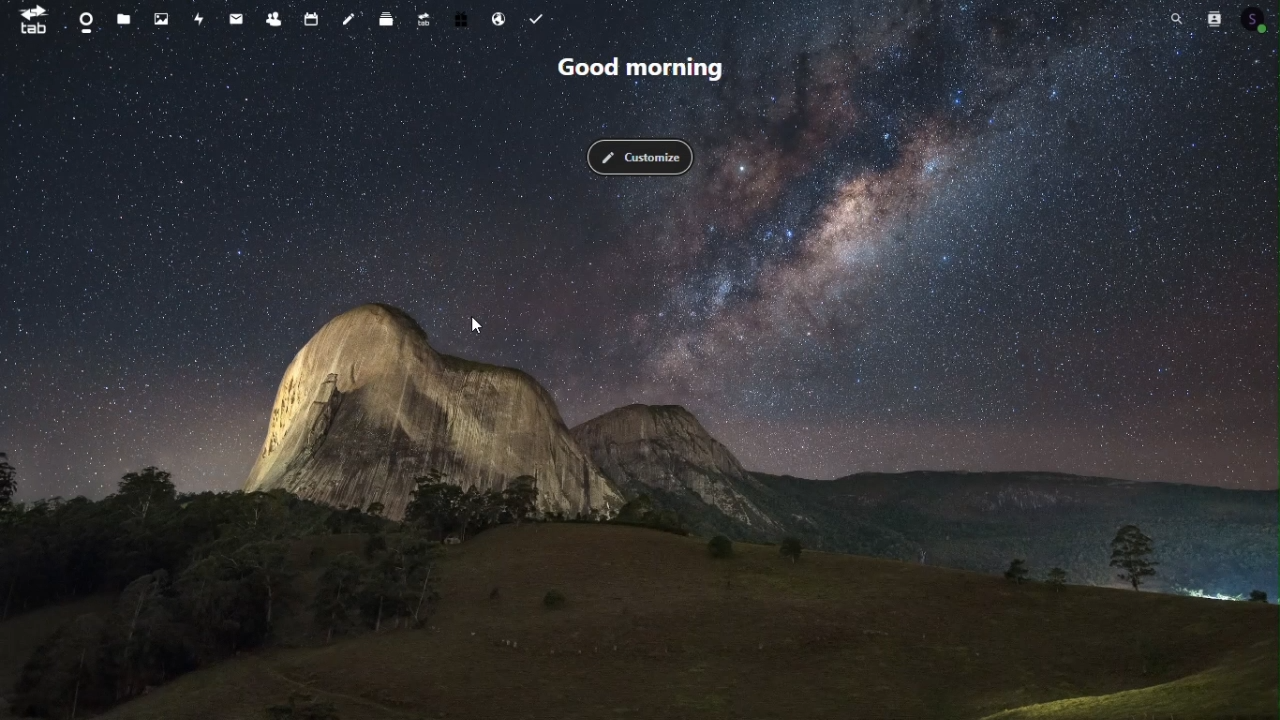 Image resolution: width=1280 pixels, height=720 pixels. Describe the element at coordinates (536, 16) in the screenshot. I see `Tasks` at that location.